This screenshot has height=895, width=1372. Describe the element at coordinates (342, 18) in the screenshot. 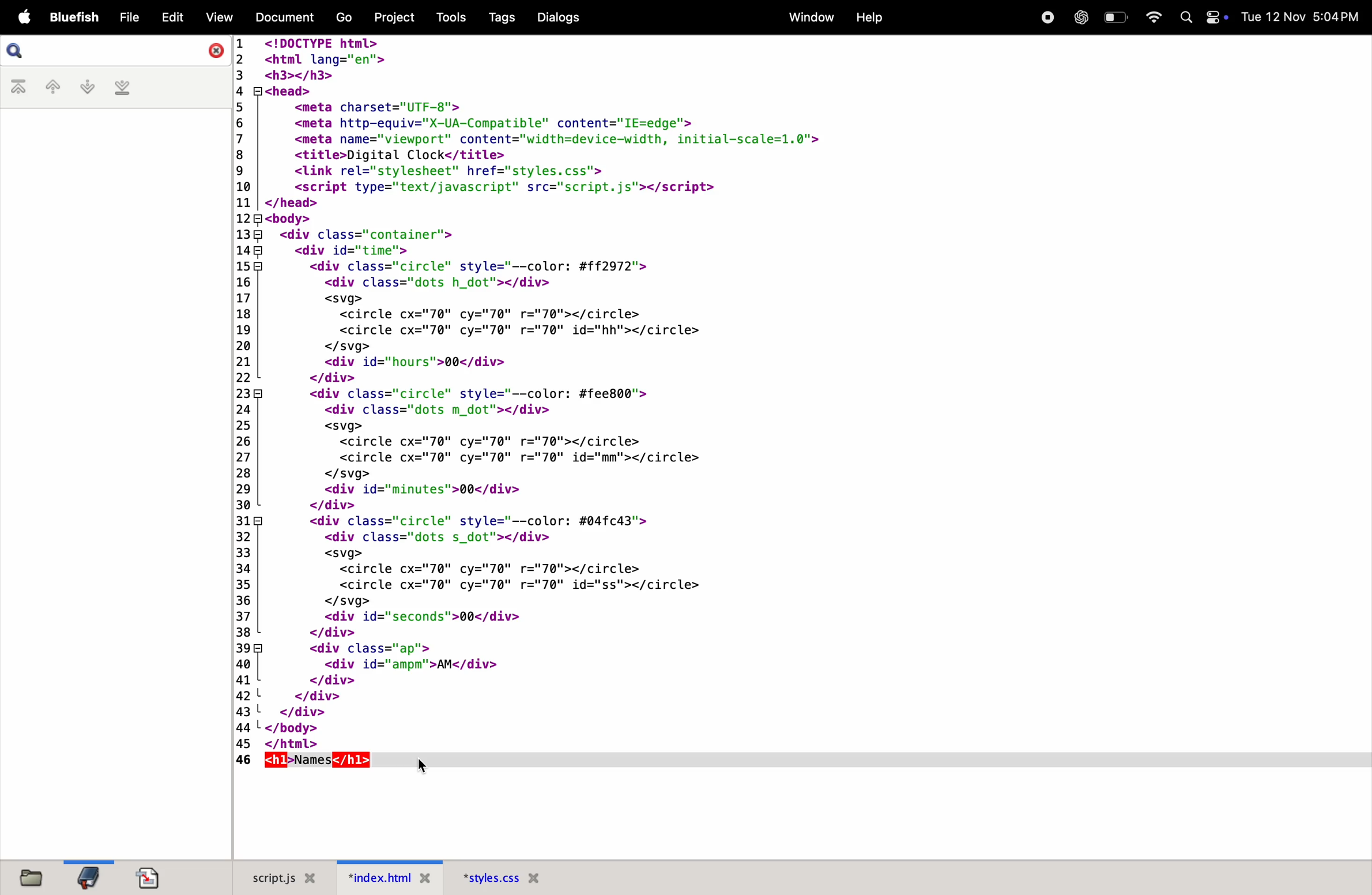

I see `go` at that location.